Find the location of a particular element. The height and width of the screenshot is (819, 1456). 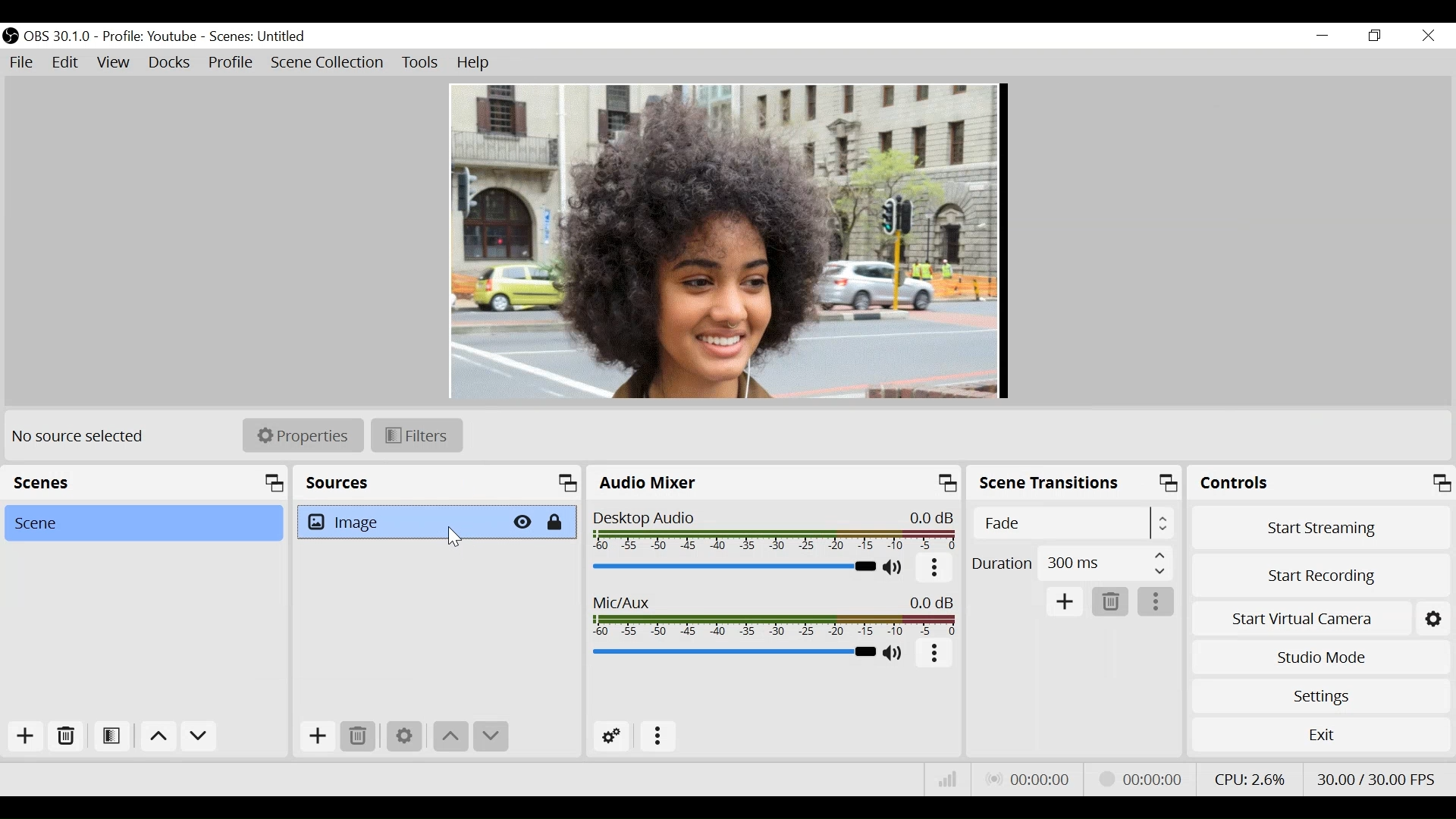

Start Recording is located at coordinates (1319, 576).